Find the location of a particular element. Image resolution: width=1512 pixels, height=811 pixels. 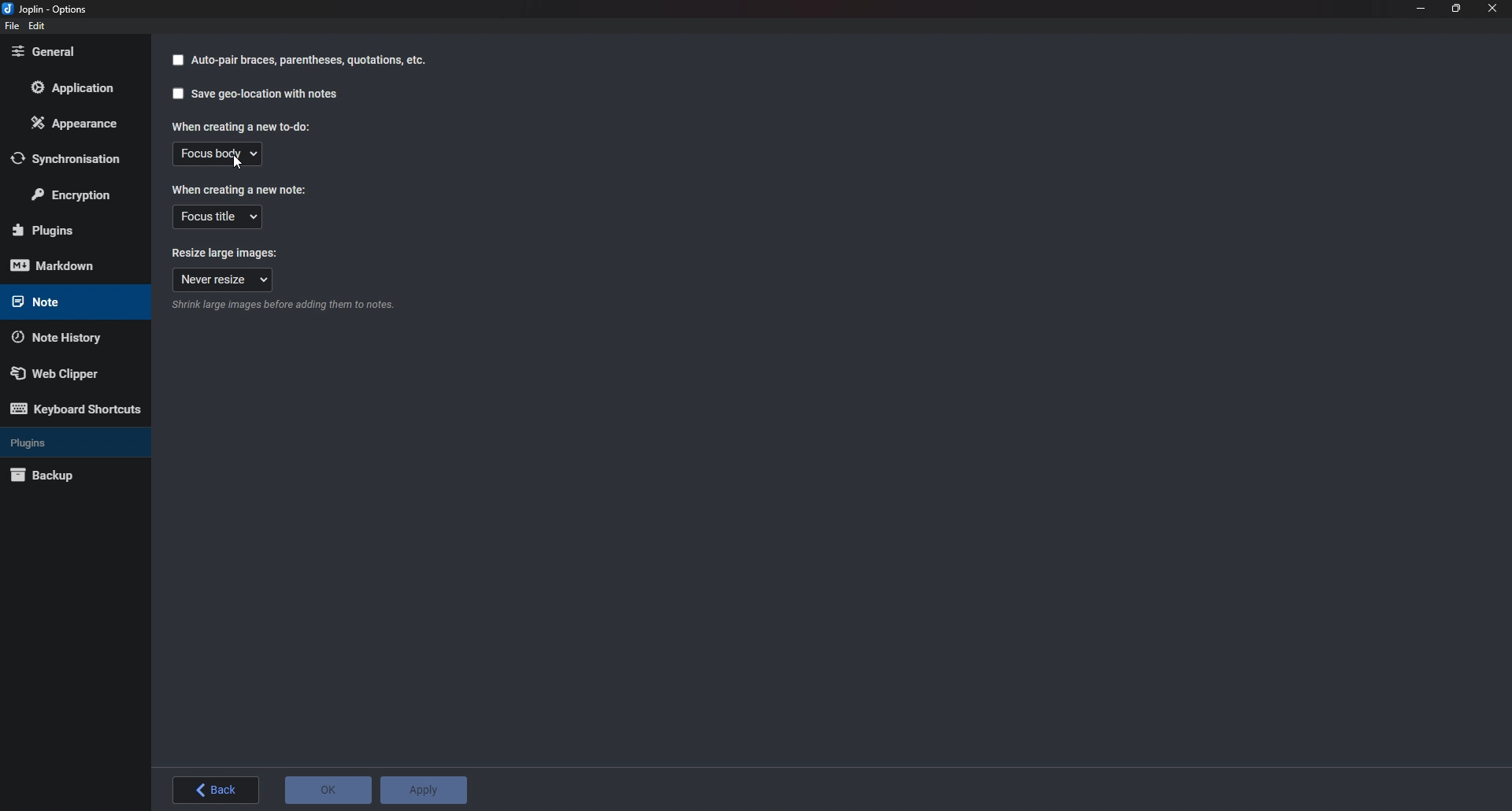

Minimize is located at coordinates (1421, 9).